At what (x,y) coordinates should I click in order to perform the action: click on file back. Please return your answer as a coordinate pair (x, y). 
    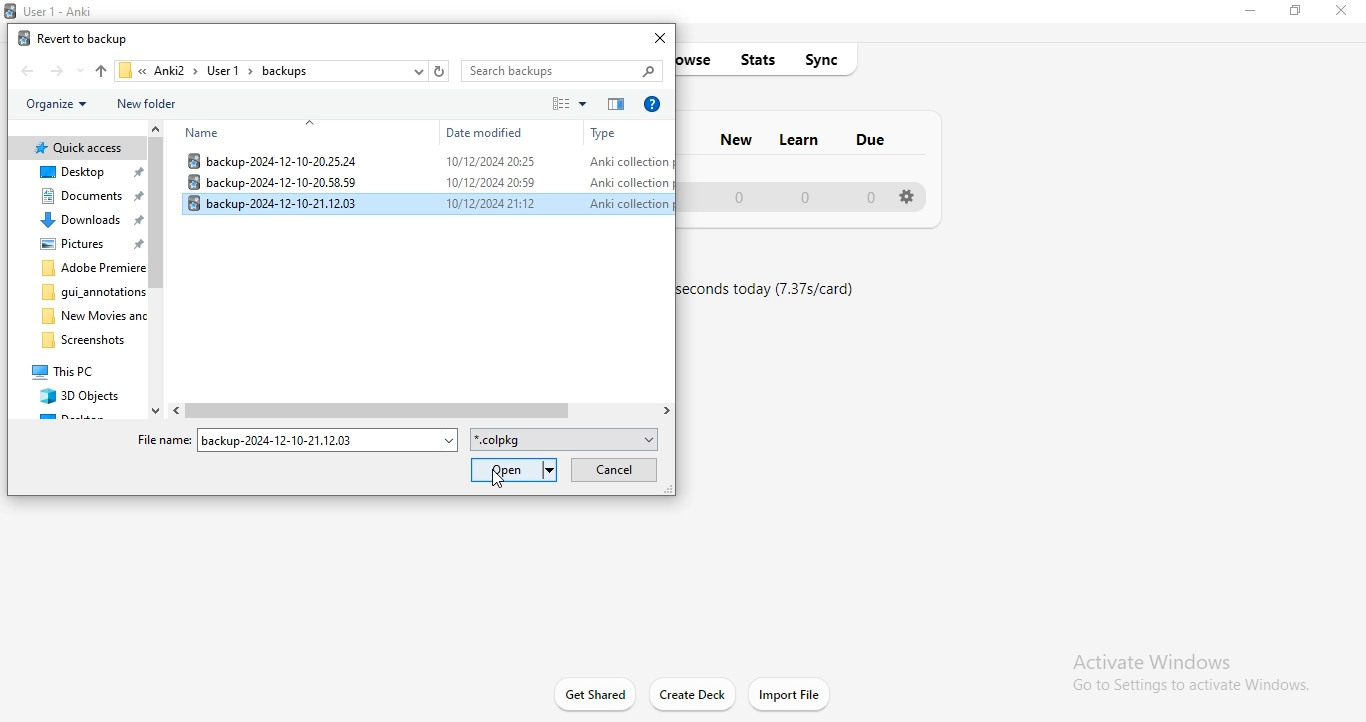
    Looking at the image, I should click on (28, 70).